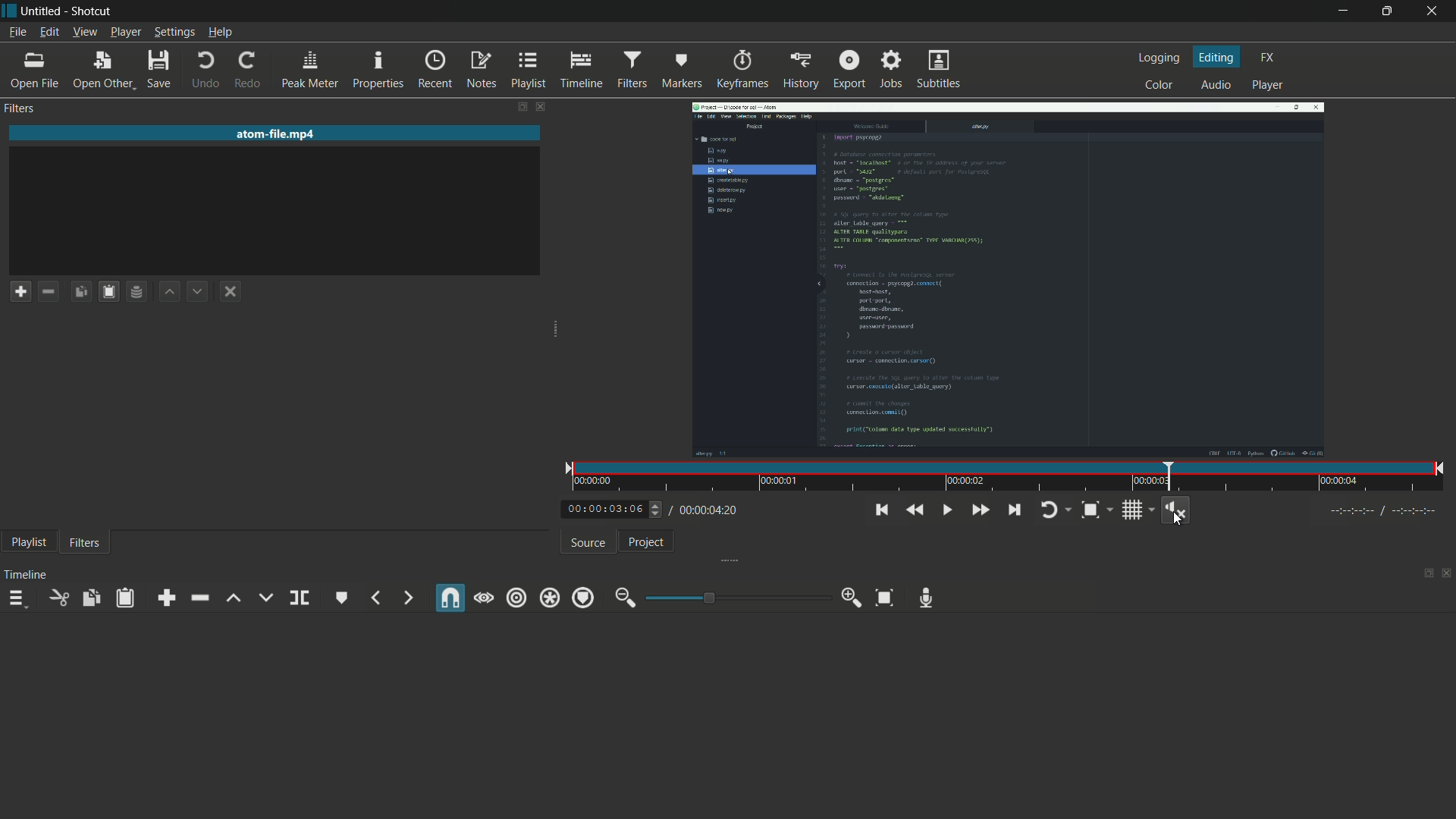 This screenshot has width=1456, height=819. I want to click on add a filter, so click(20, 290).